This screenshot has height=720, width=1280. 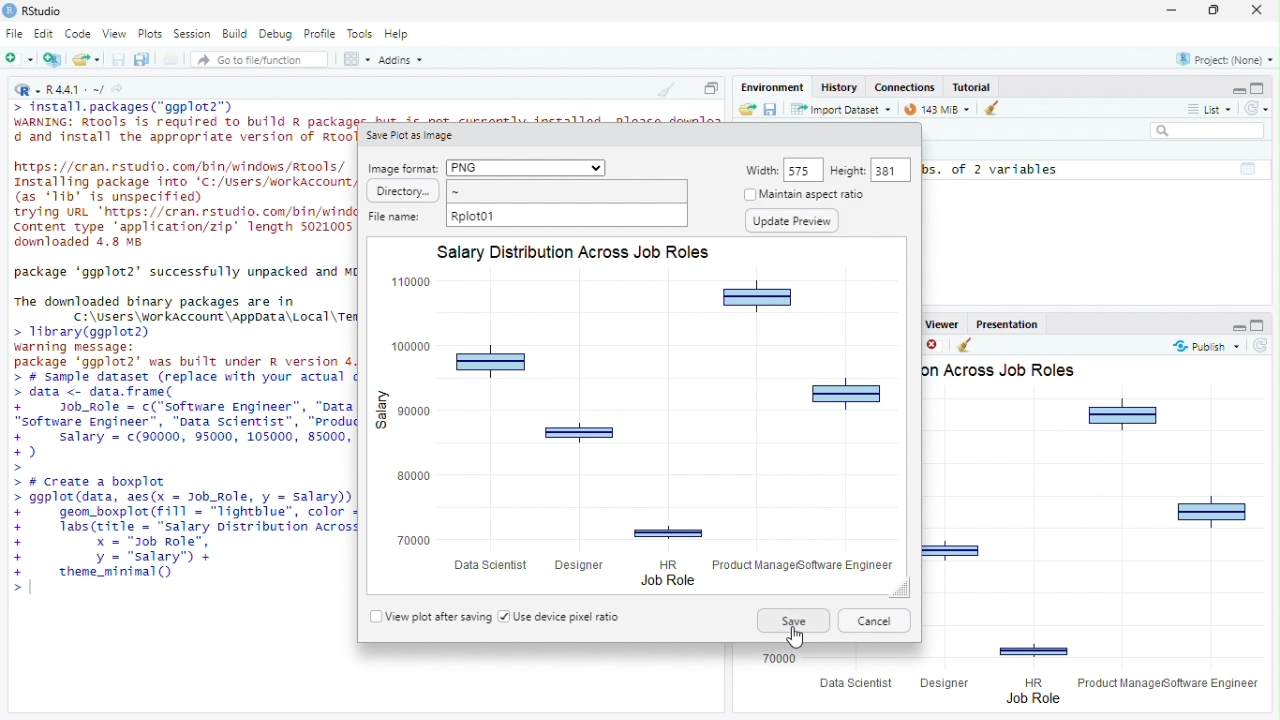 What do you see at coordinates (1221, 59) in the screenshot?
I see `project selector` at bounding box center [1221, 59].